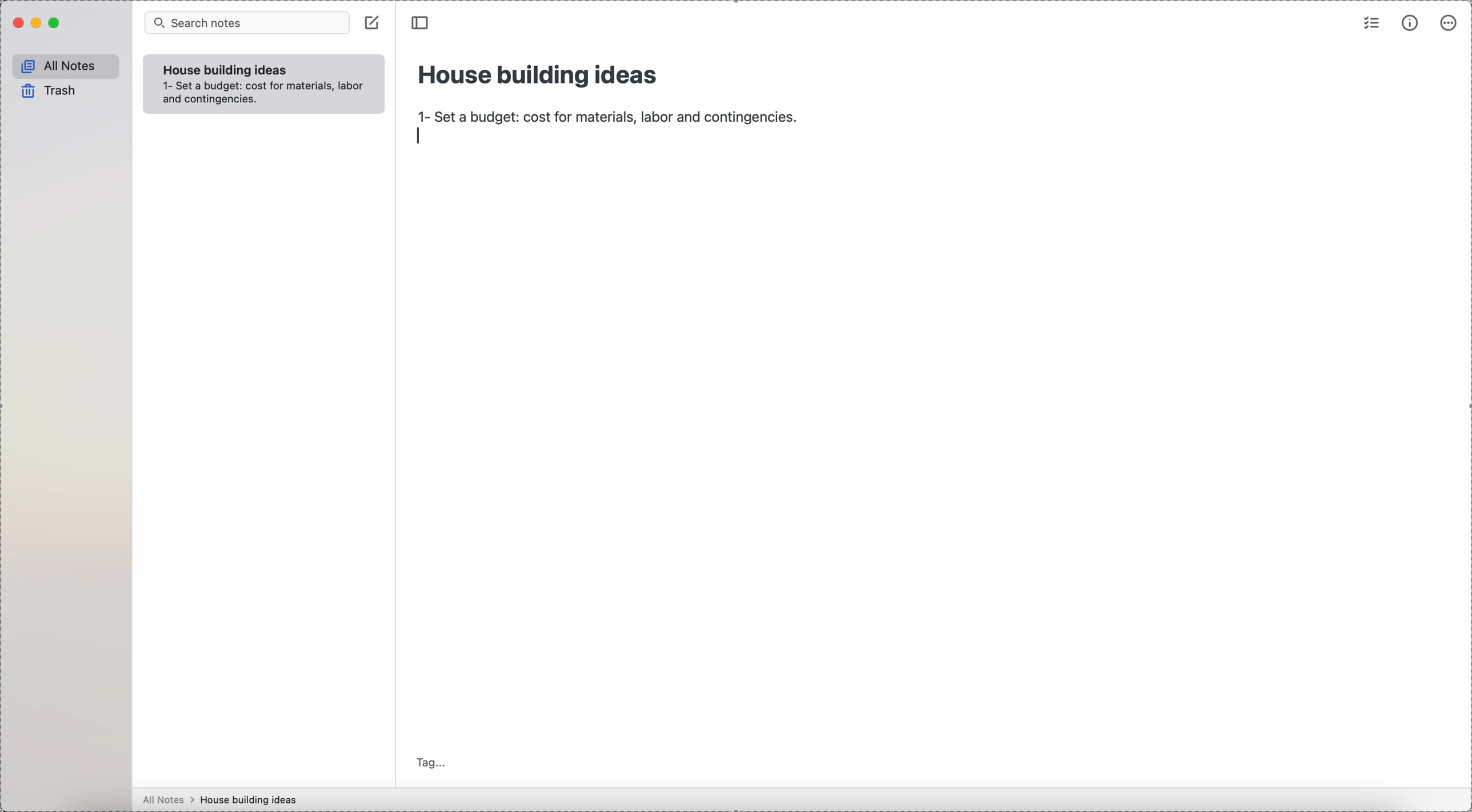 This screenshot has height=812, width=1472. Describe the element at coordinates (539, 73) in the screenshot. I see `house building ideas` at that location.